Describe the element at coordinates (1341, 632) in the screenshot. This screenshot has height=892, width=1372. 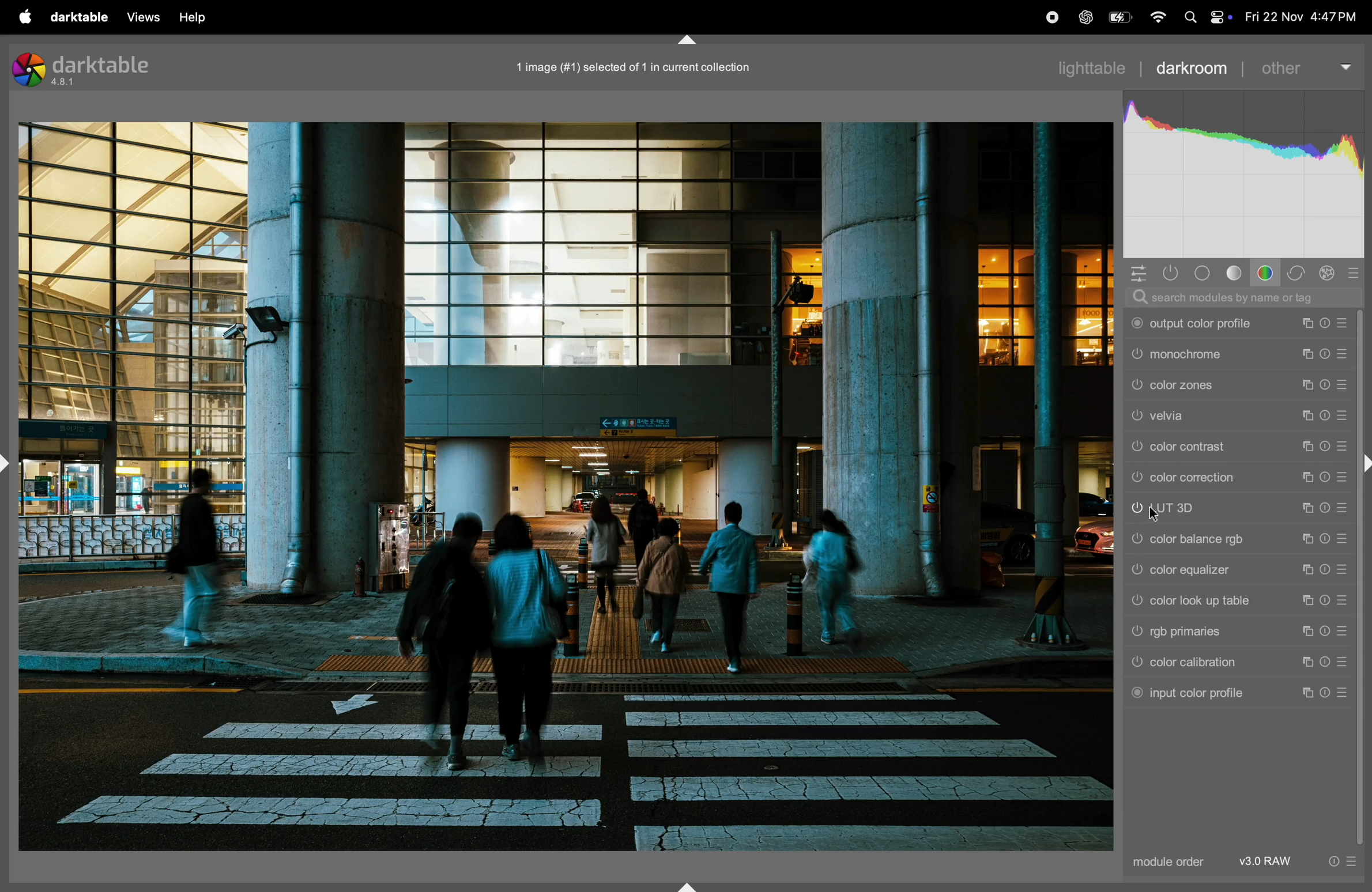
I see `presets` at that location.